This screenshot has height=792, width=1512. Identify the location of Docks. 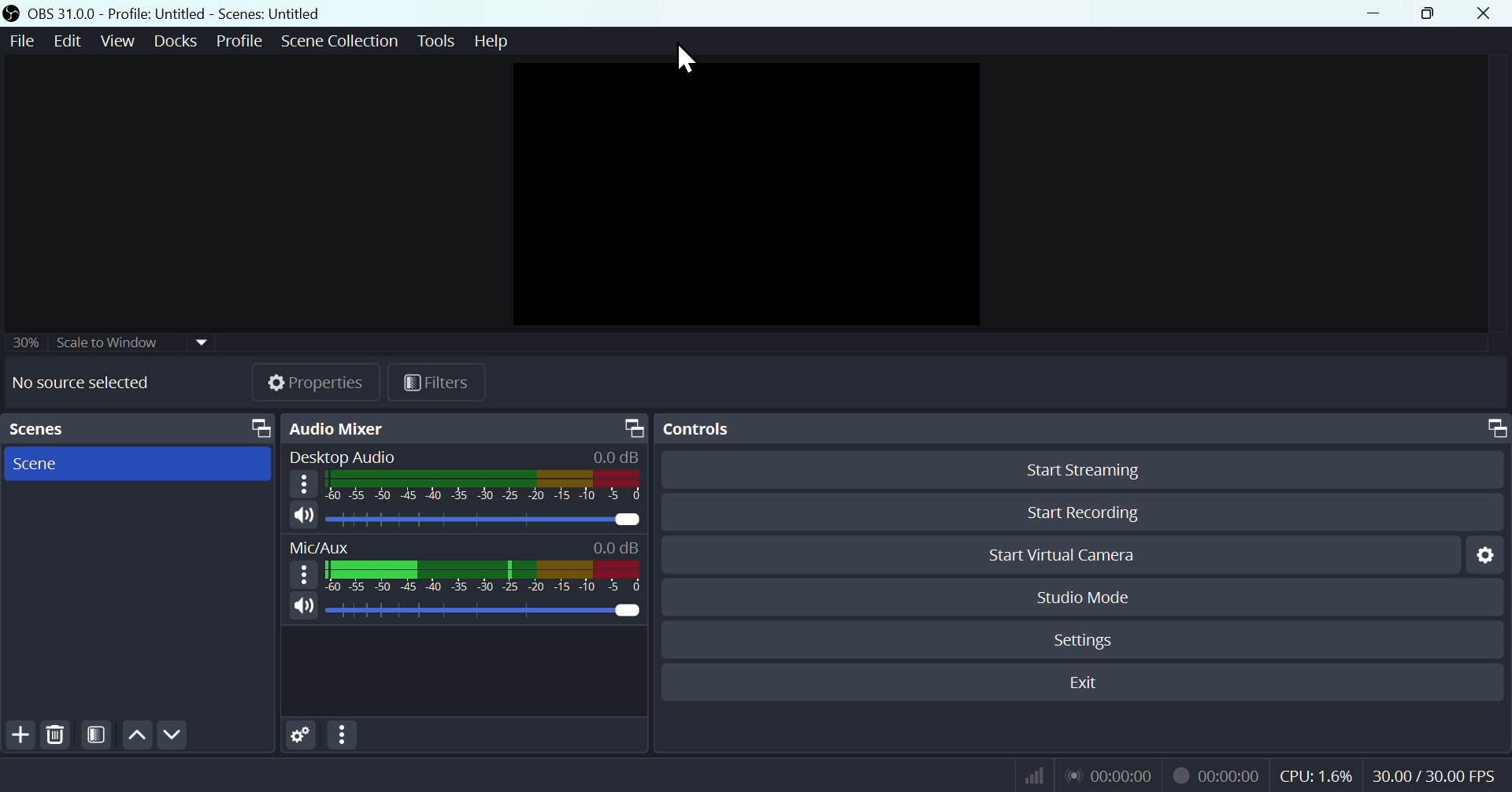
(174, 40).